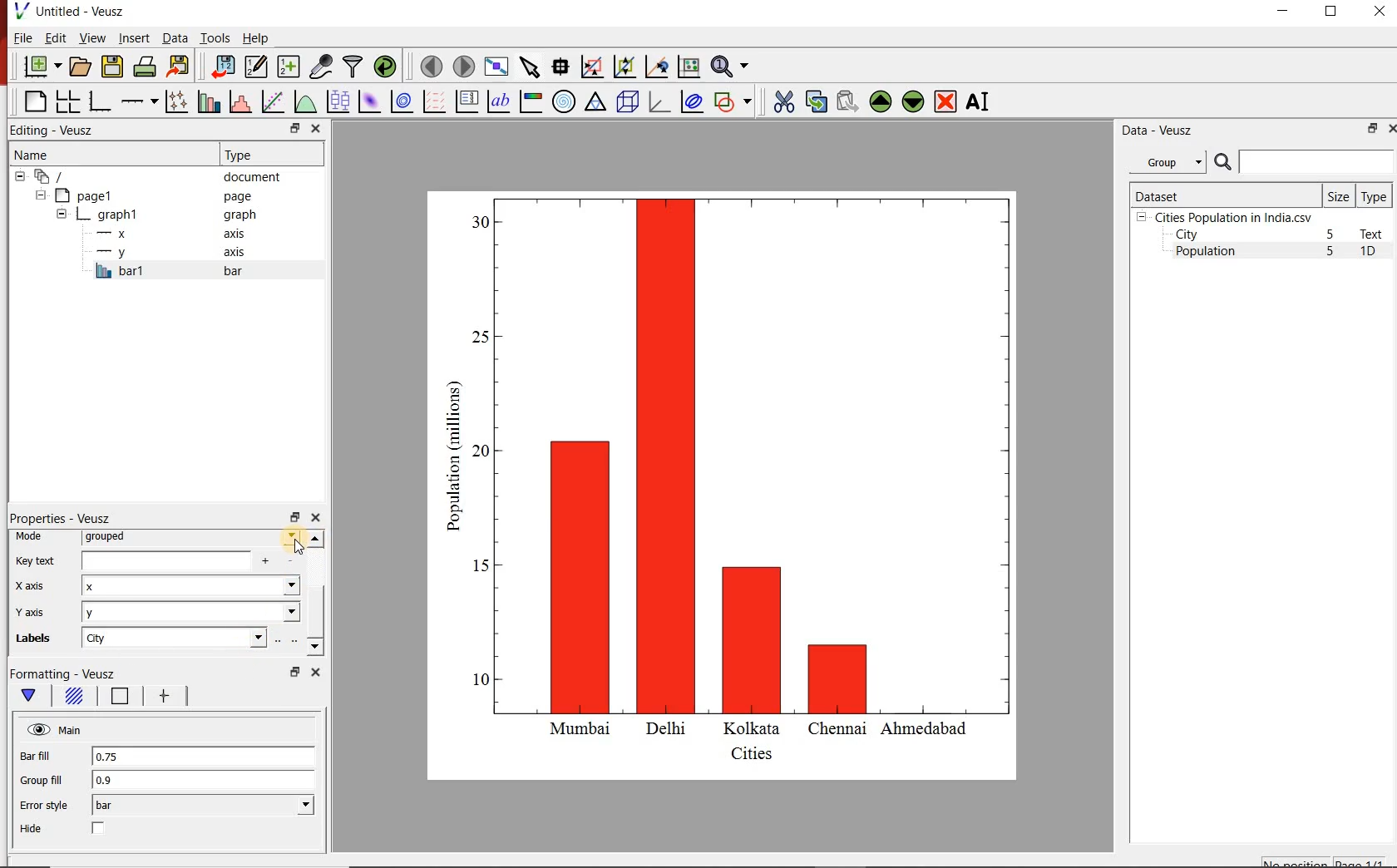 Image resolution: width=1397 pixels, height=868 pixels. I want to click on Formatting - Veusz, so click(73, 674).